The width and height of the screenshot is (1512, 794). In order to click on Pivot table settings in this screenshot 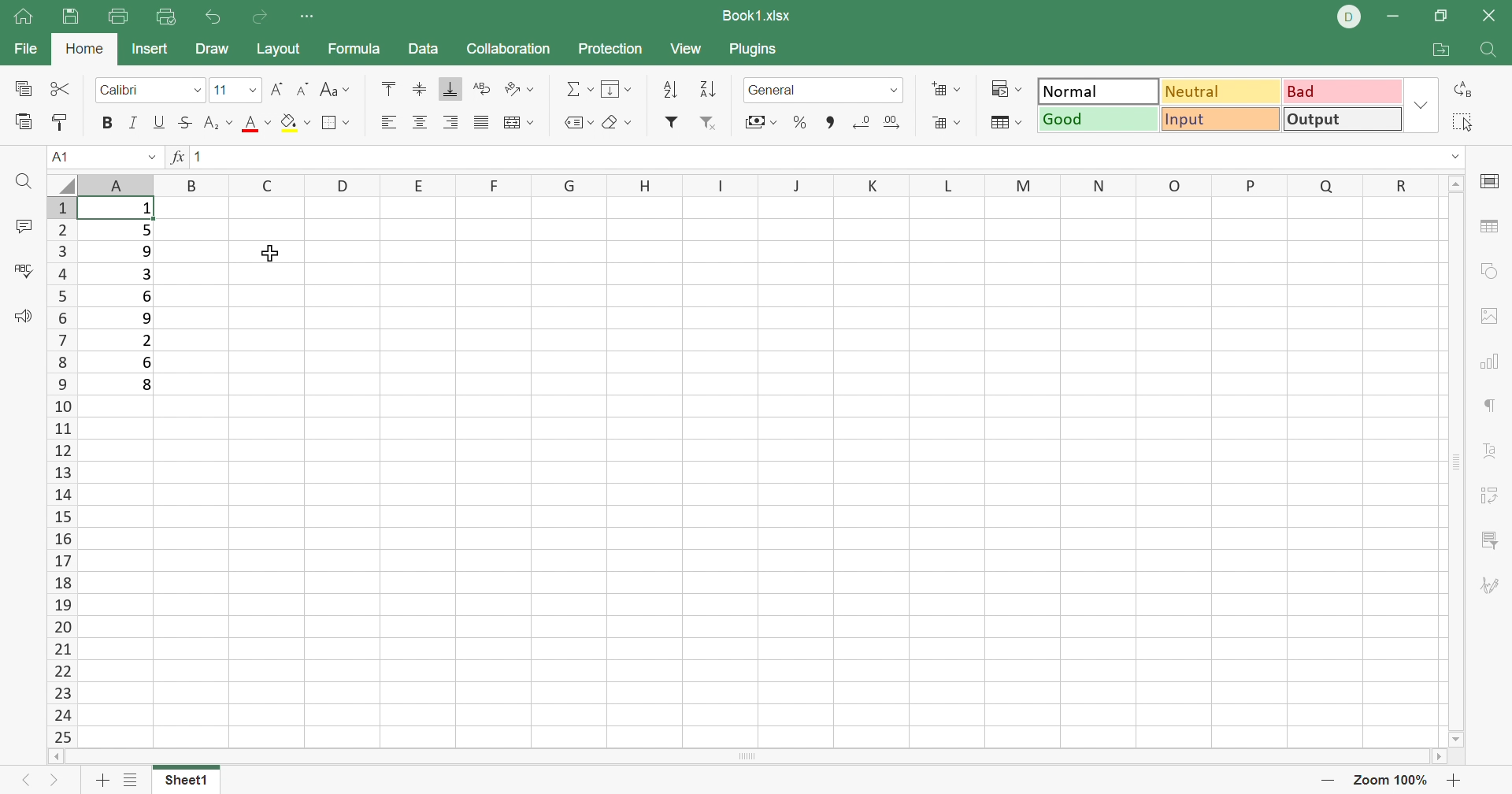, I will do `click(1492, 497)`.